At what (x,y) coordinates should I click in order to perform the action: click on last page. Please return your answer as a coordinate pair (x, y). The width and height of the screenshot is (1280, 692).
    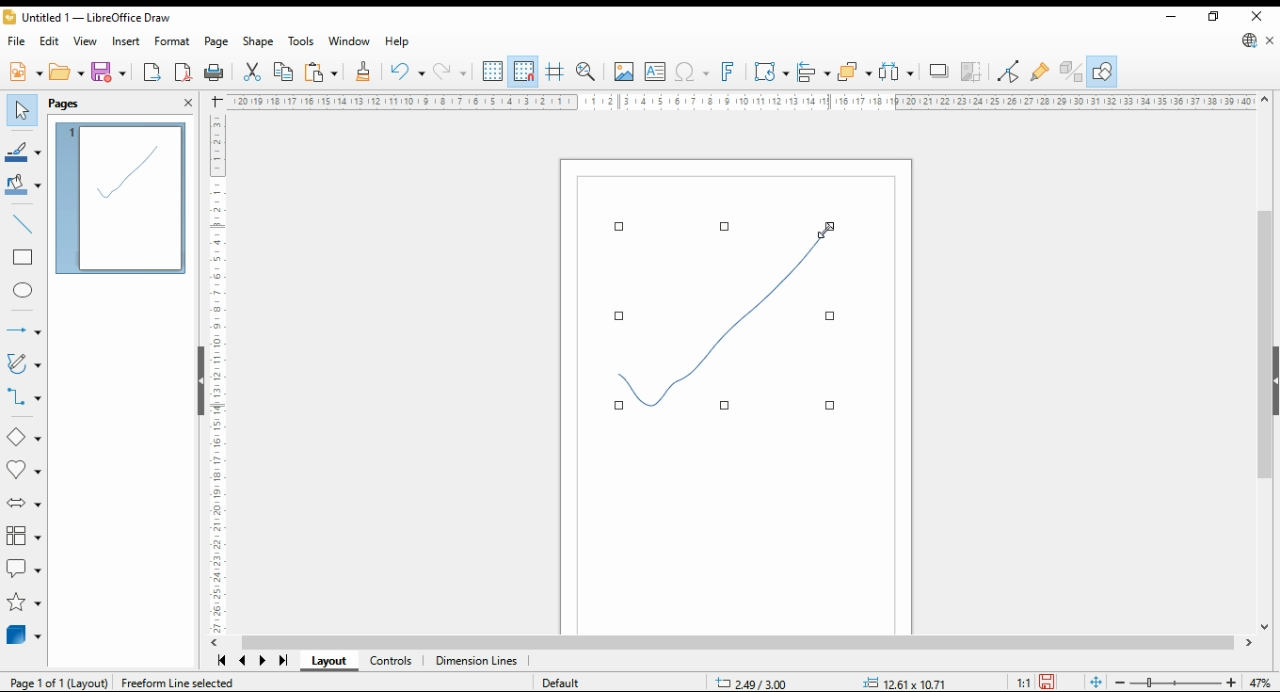
    Looking at the image, I should click on (284, 661).